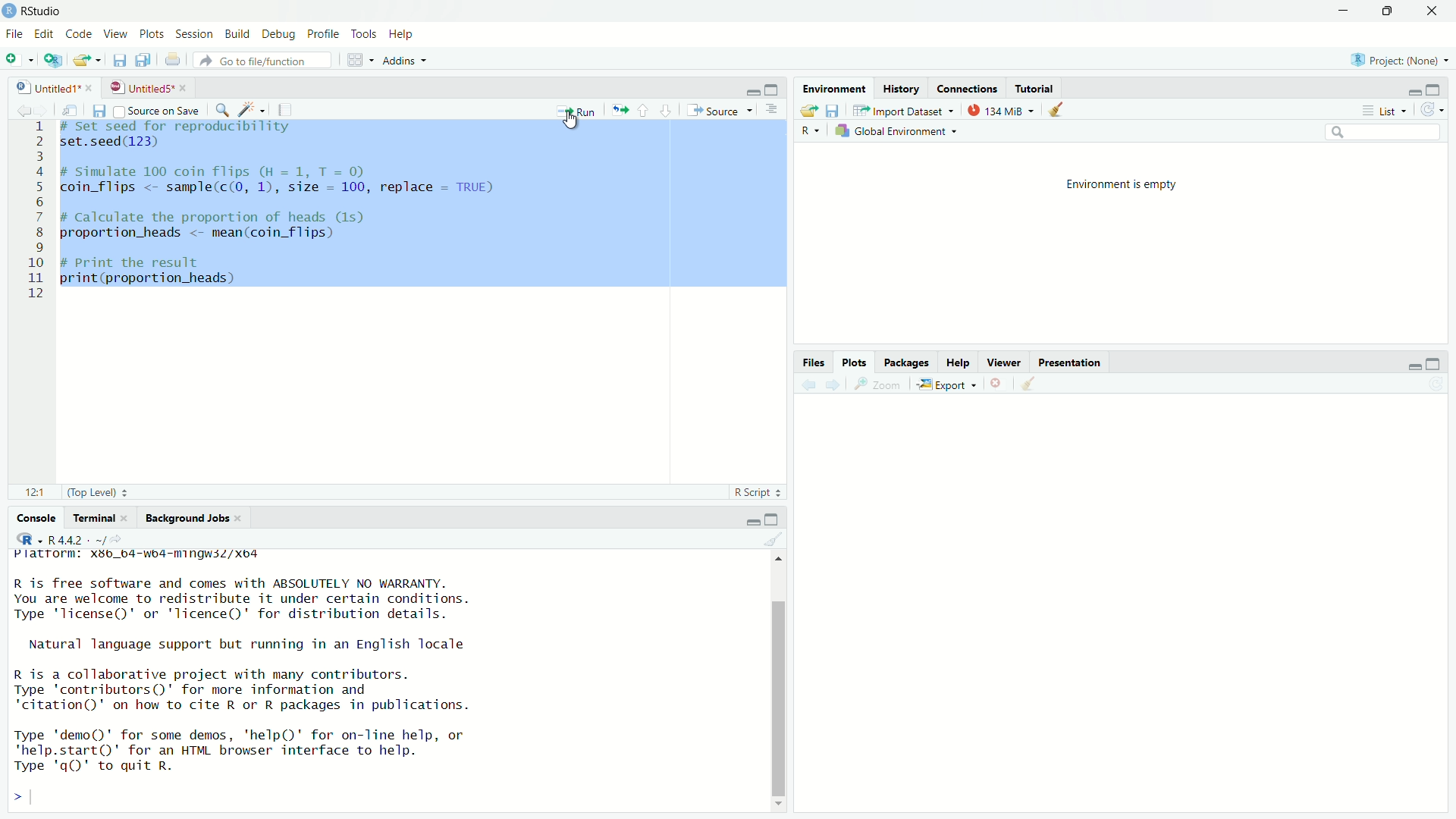 This screenshot has width=1456, height=819. I want to click on create a project, so click(50, 60).